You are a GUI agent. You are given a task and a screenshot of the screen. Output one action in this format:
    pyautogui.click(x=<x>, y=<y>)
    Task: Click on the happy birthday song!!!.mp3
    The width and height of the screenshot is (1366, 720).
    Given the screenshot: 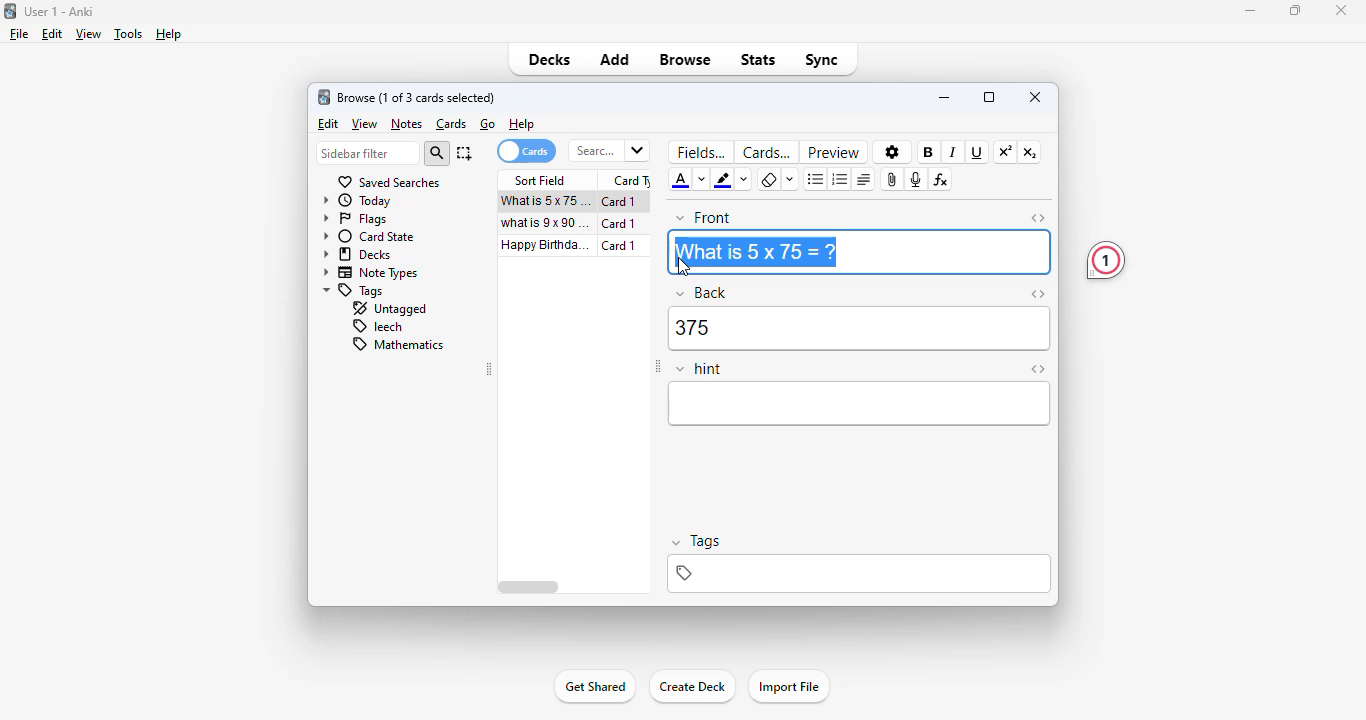 What is the action you would take?
    pyautogui.click(x=544, y=245)
    